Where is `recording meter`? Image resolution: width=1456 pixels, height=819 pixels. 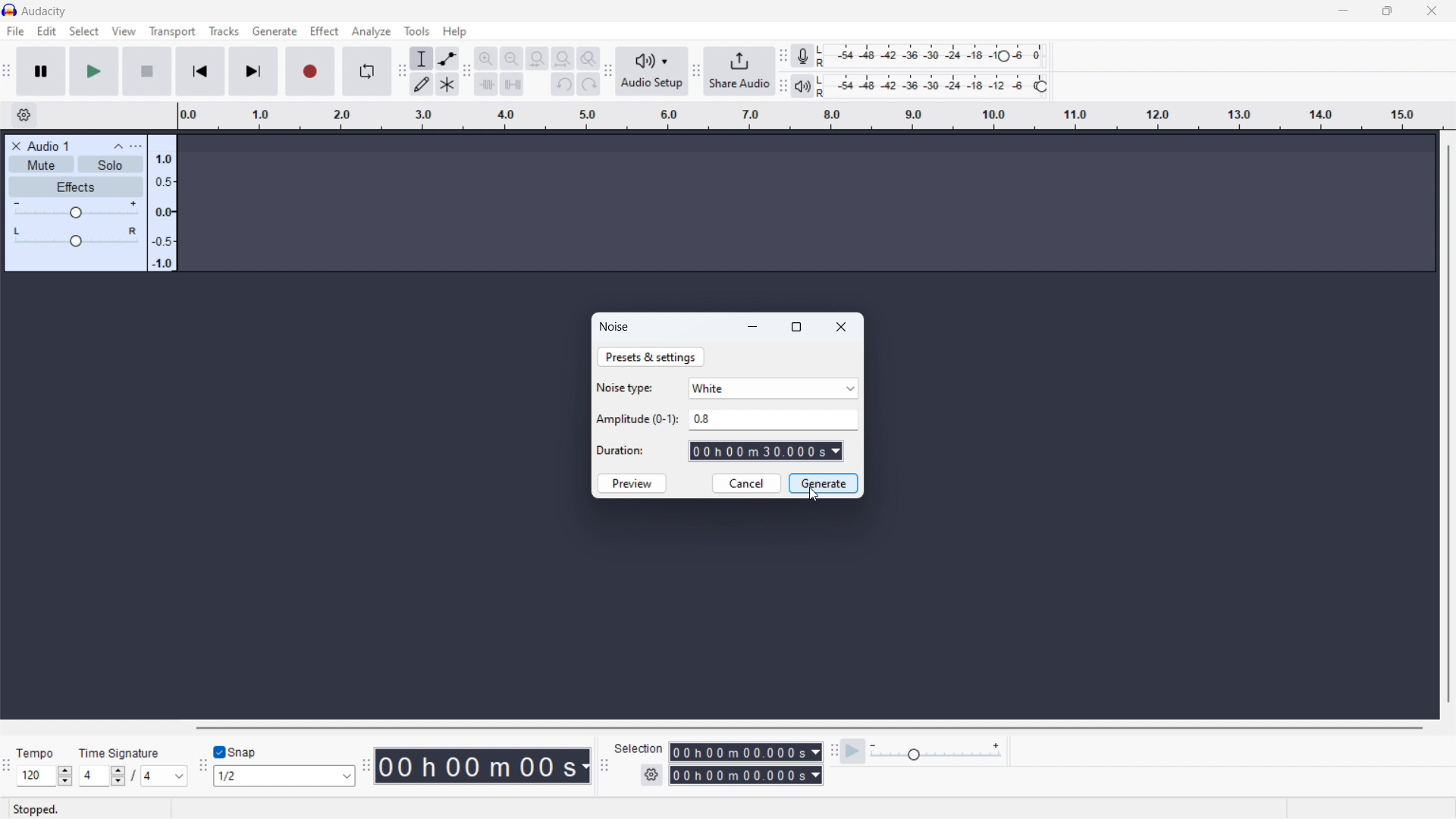 recording meter is located at coordinates (802, 56).